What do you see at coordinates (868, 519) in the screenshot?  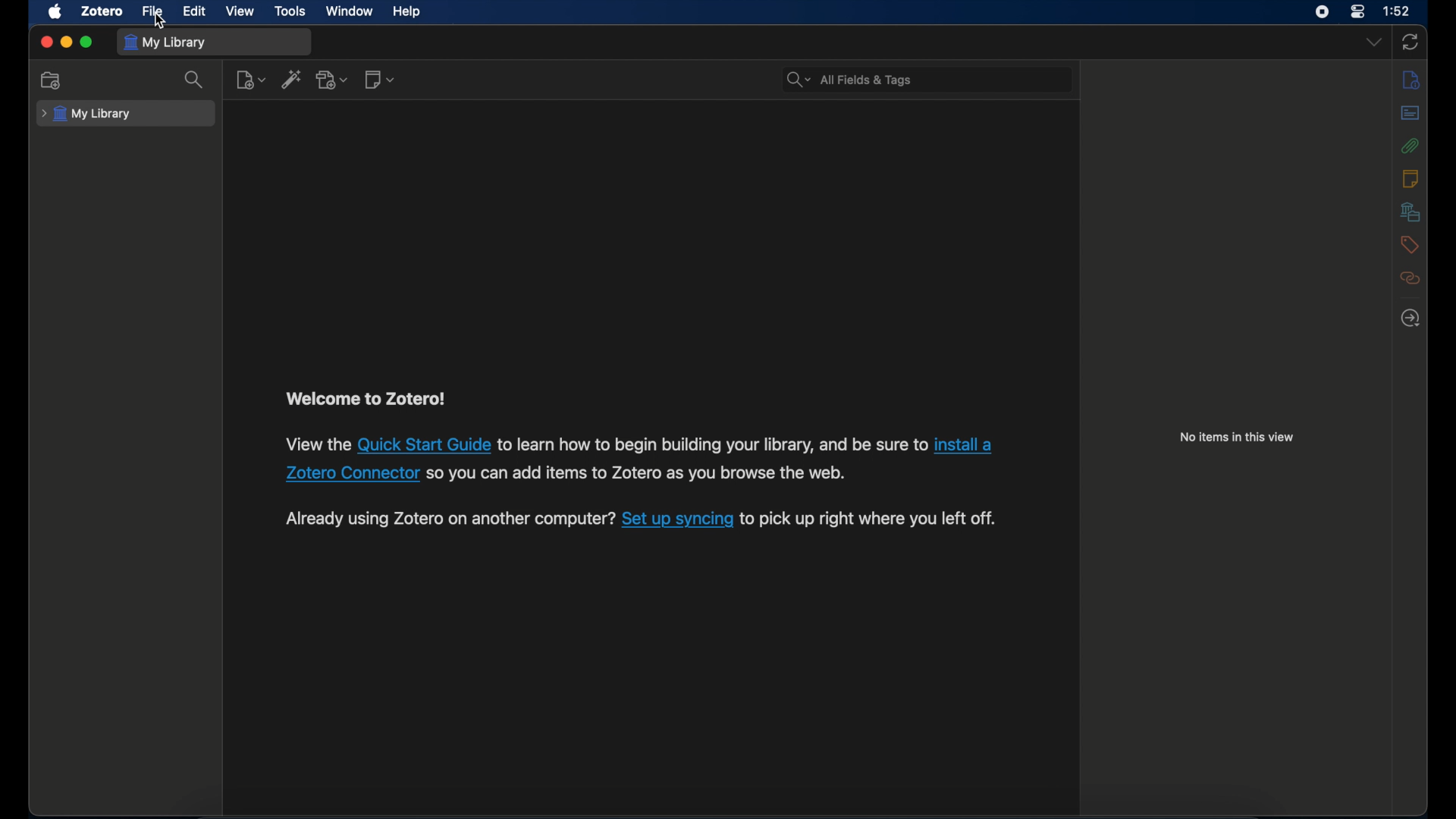 I see `to pick up right where you left off.` at bounding box center [868, 519].